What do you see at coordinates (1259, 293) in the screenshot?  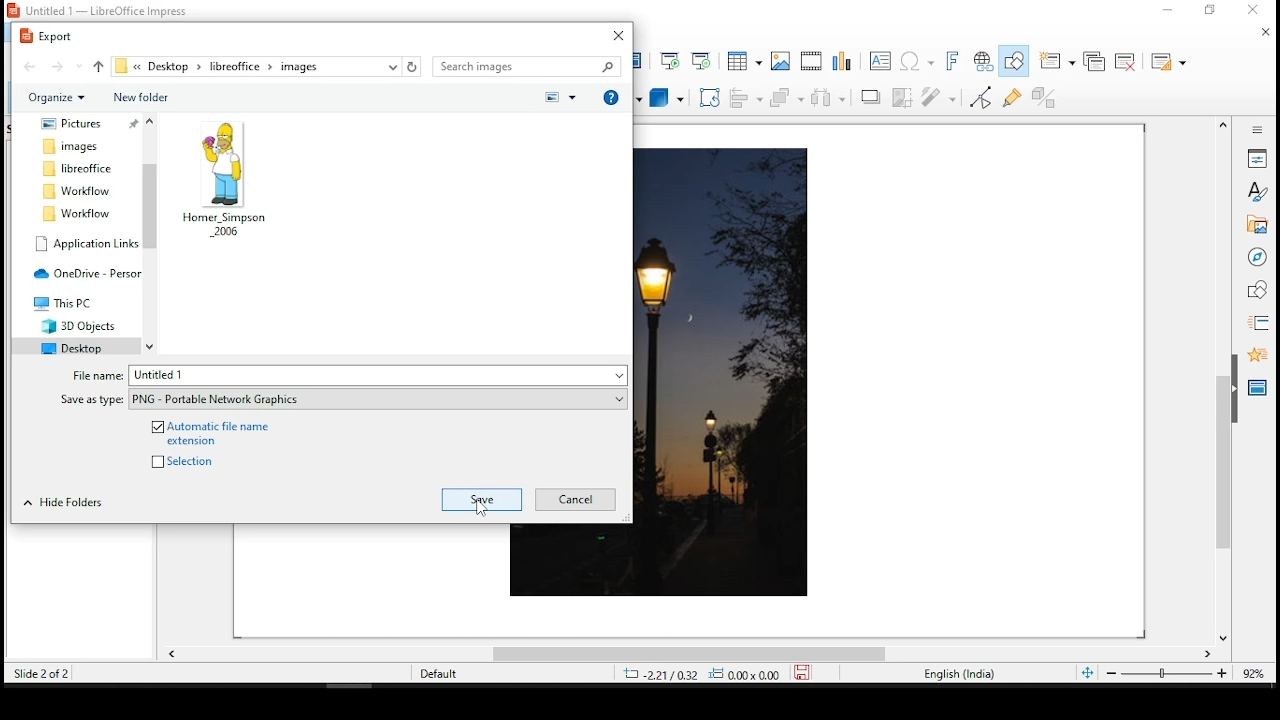 I see `shapes` at bounding box center [1259, 293].